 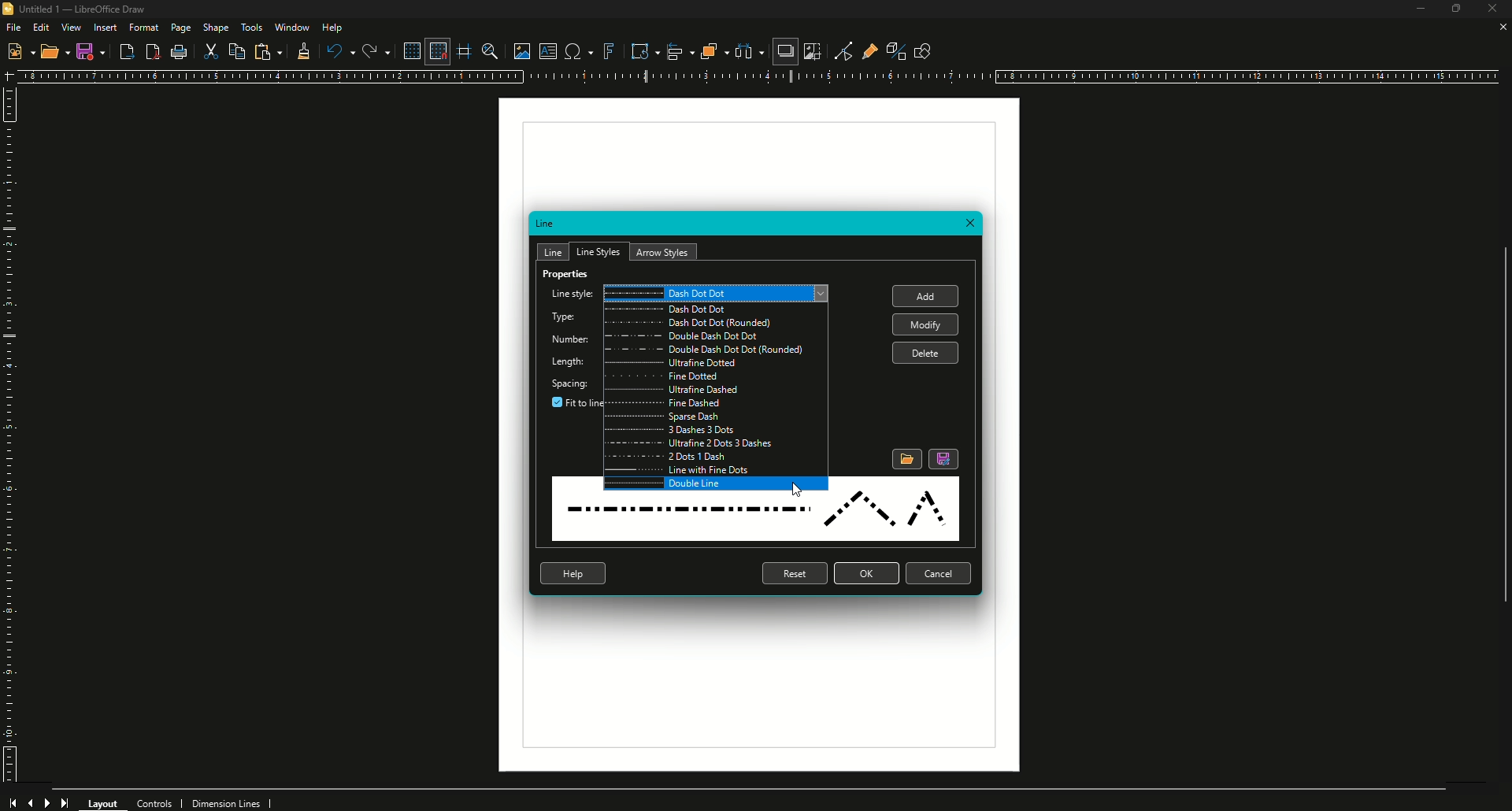 I want to click on Close, so click(x=972, y=224).